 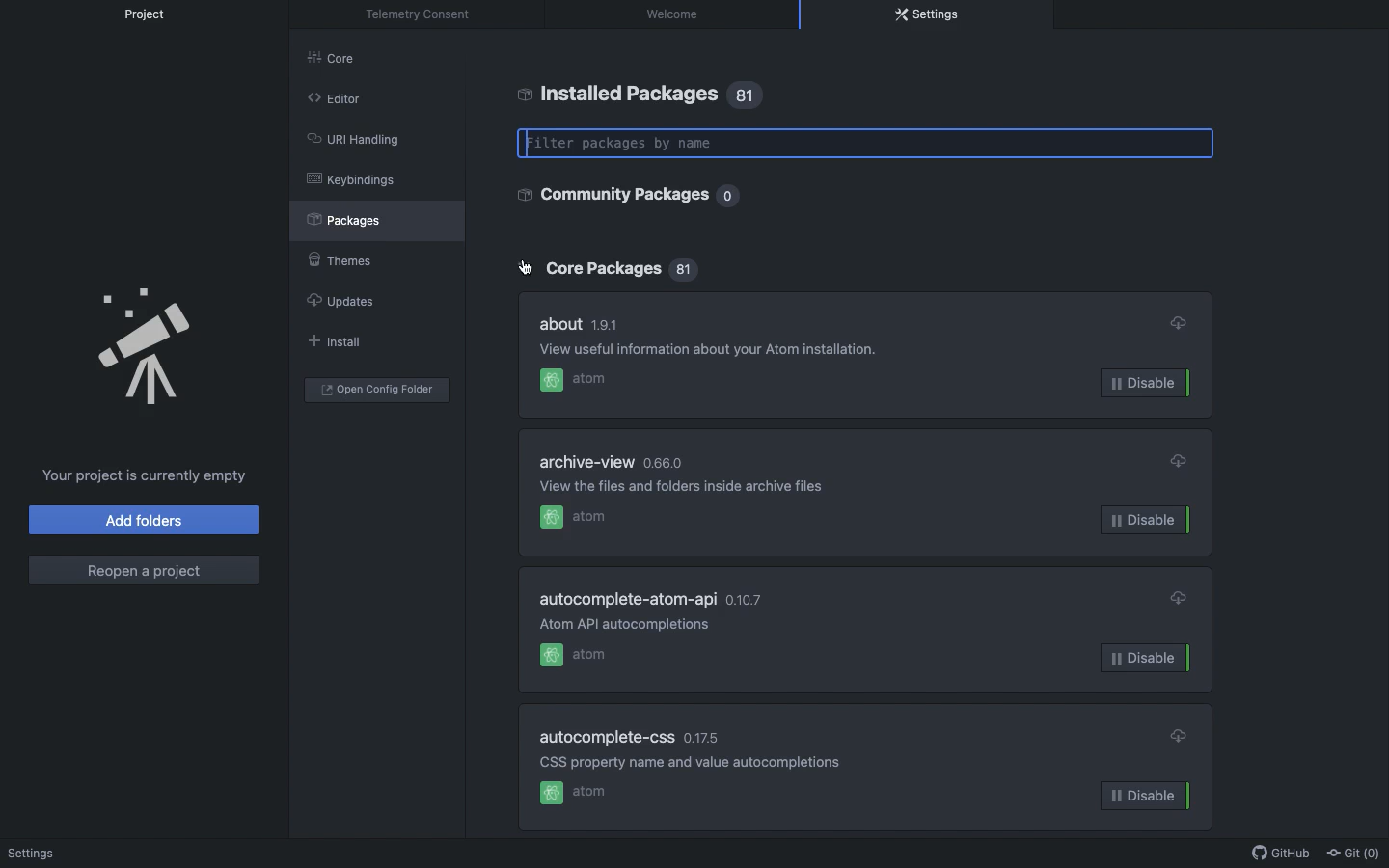 I want to click on Filter packages by name, so click(x=867, y=144).